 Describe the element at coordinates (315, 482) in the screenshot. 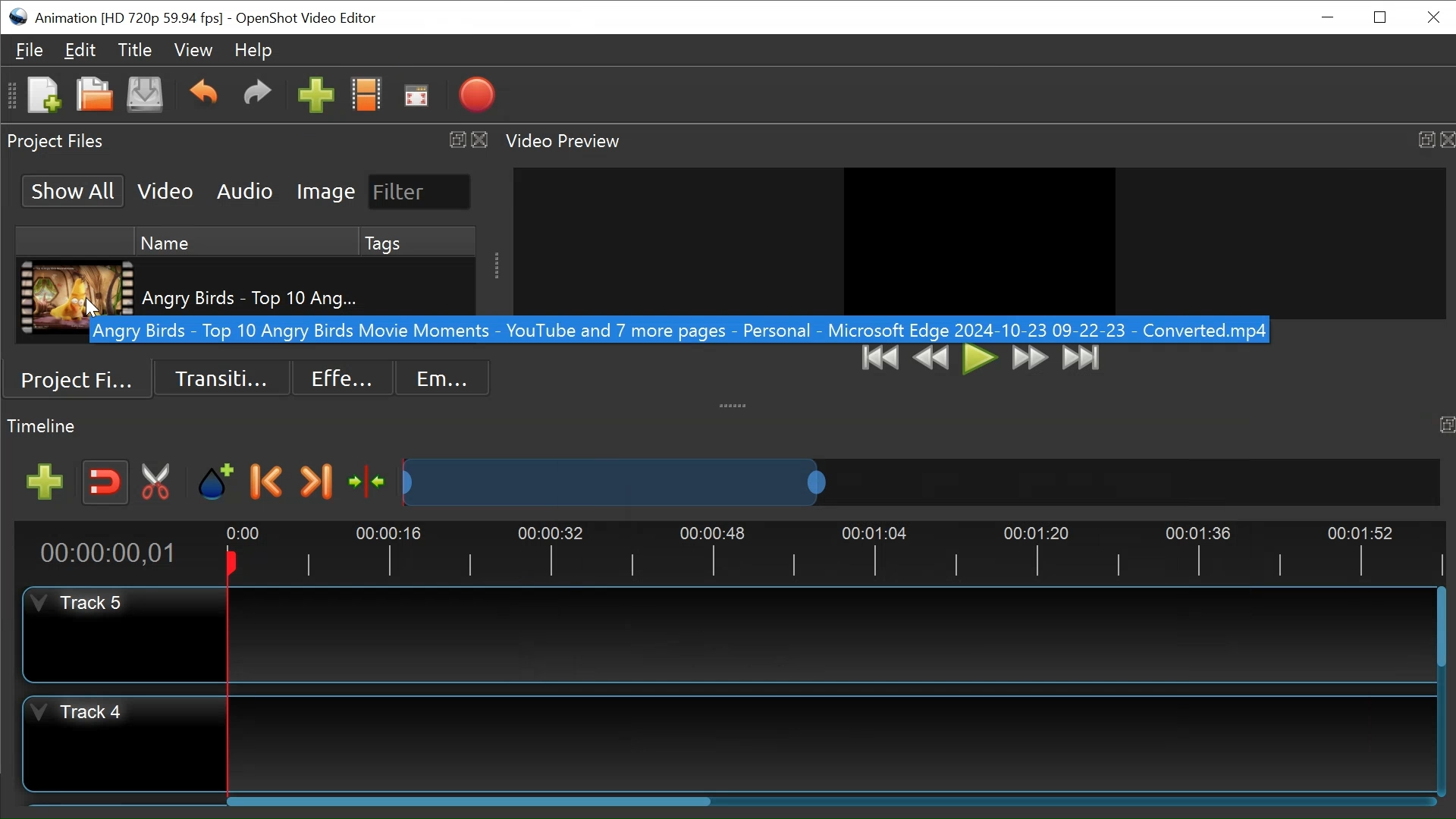

I see `Next Marker` at that location.